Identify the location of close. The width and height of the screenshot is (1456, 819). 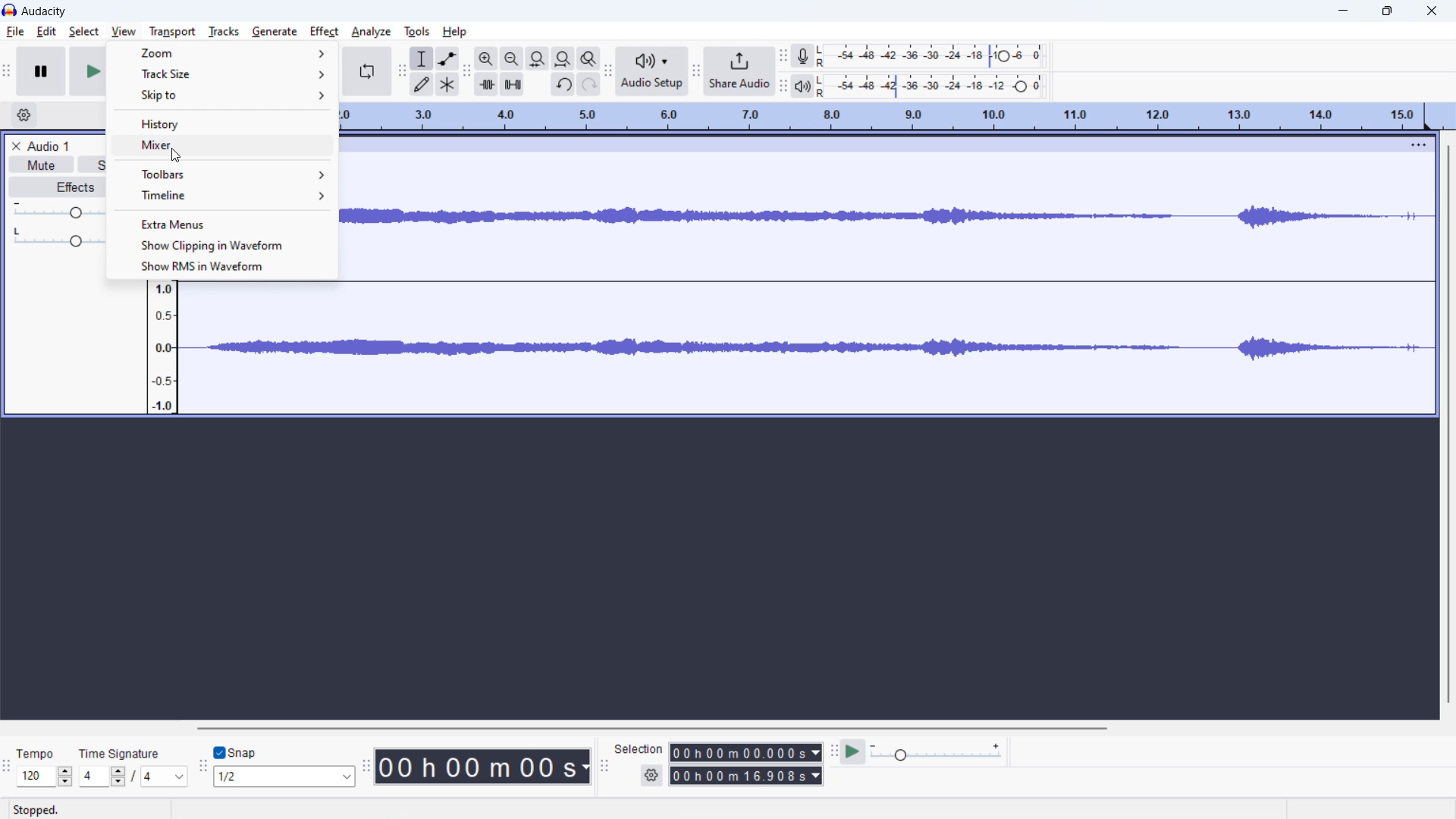
(1432, 10).